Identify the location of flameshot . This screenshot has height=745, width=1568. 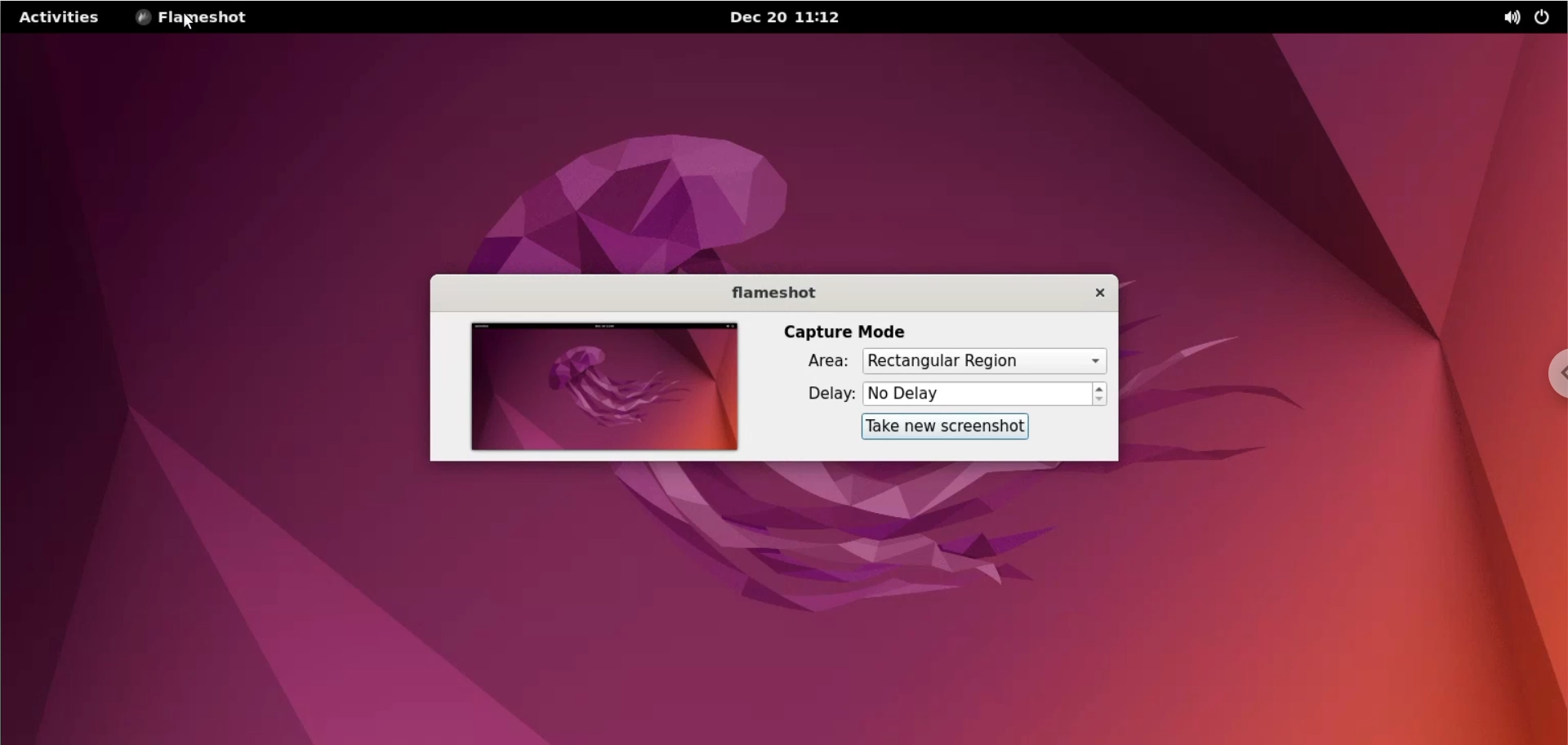
(768, 289).